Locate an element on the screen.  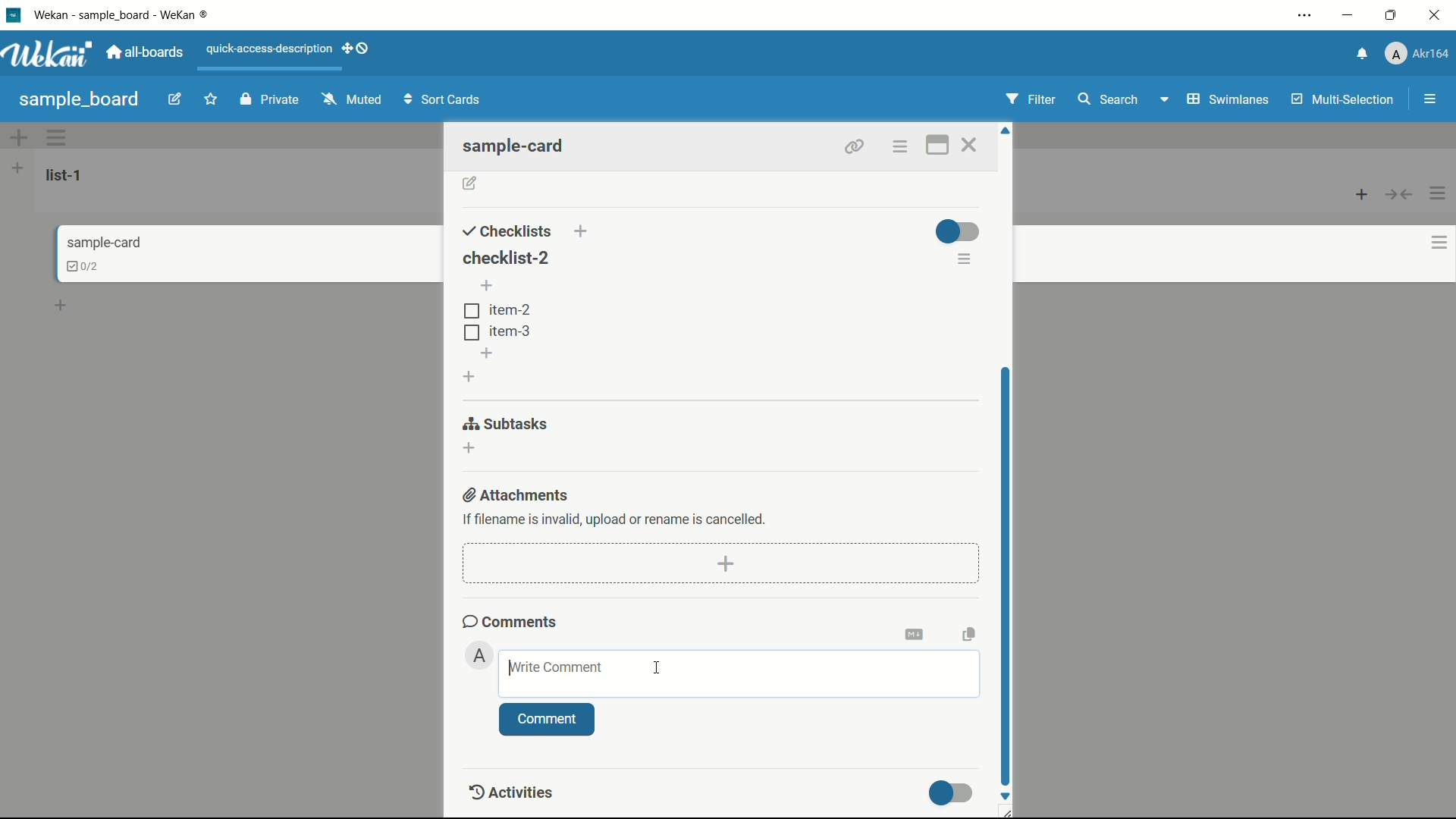
minimize is located at coordinates (1350, 15).